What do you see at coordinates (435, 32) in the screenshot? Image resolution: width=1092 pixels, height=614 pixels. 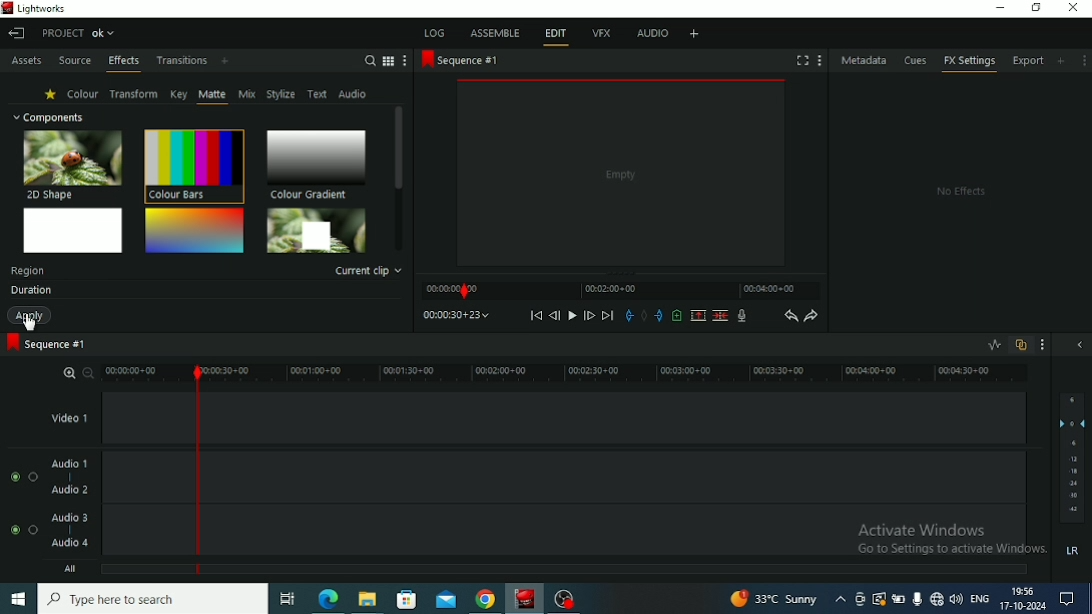 I see `Log` at bounding box center [435, 32].